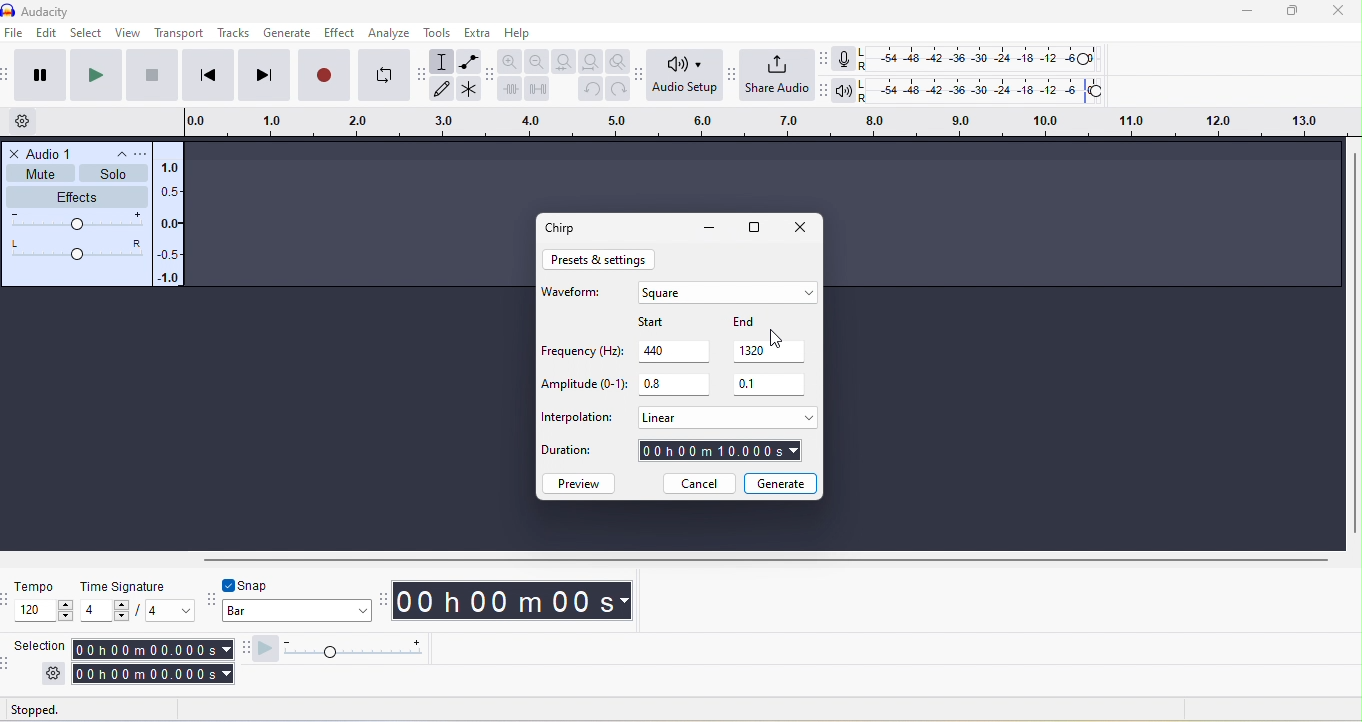 Image resolution: width=1362 pixels, height=722 pixels. What do you see at coordinates (38, 75) in the screenshot?
I see `pause` at bounding box center [38, 75].